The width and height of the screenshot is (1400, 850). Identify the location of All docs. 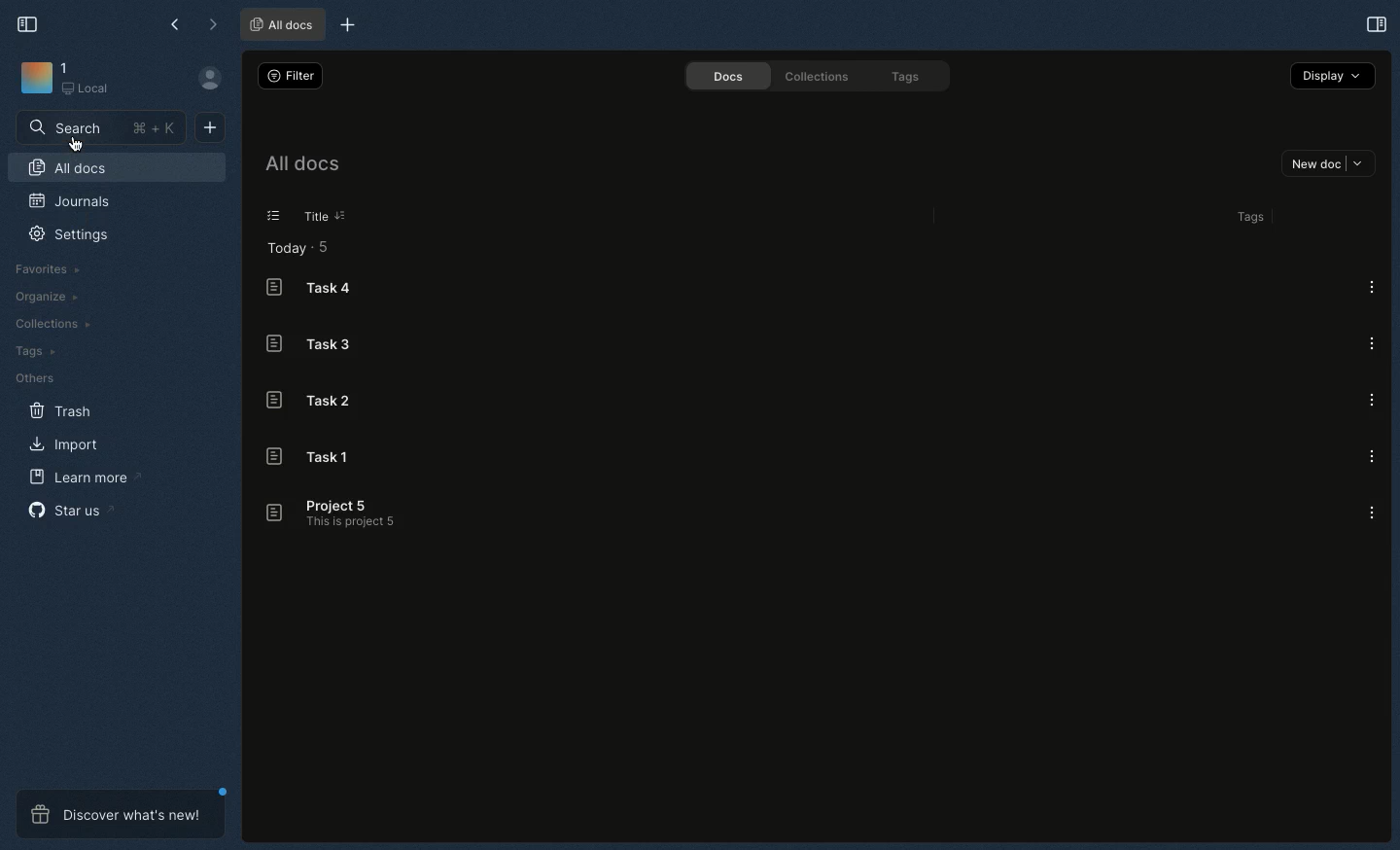
(278, 25).